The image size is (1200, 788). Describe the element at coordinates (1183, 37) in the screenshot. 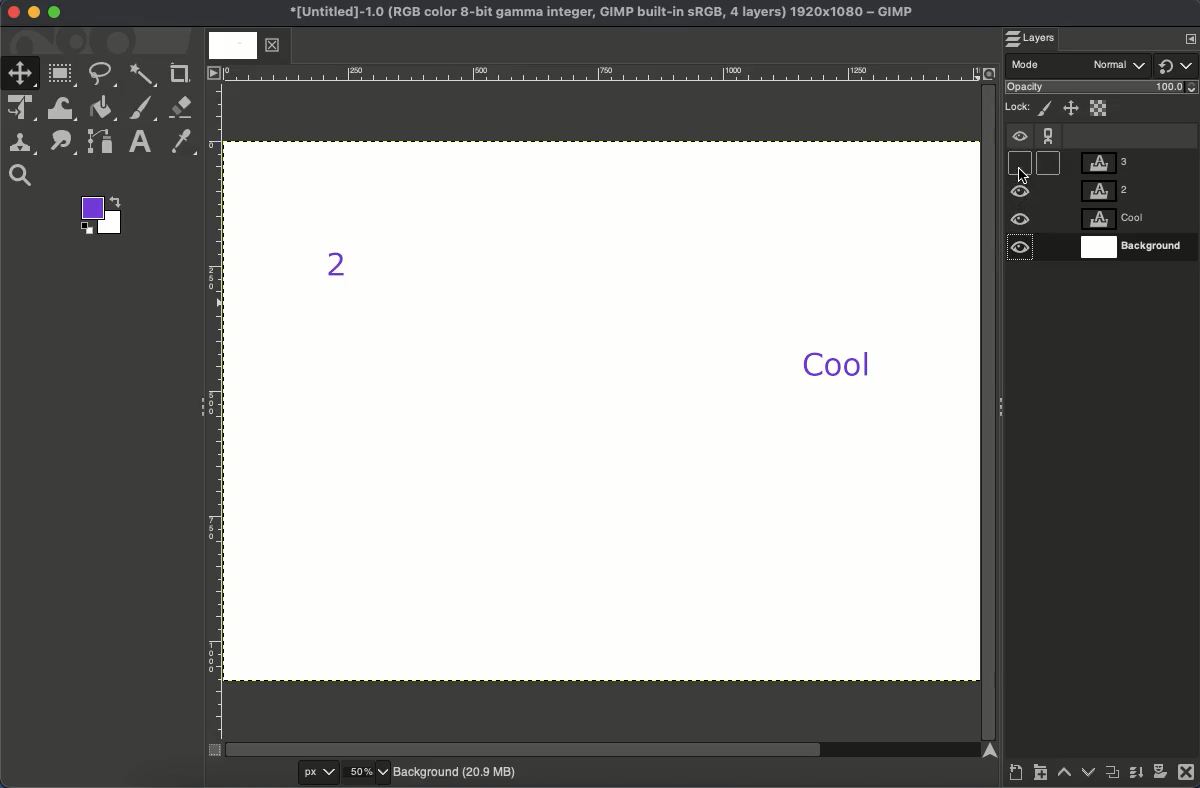

I see `show layers` at that location.